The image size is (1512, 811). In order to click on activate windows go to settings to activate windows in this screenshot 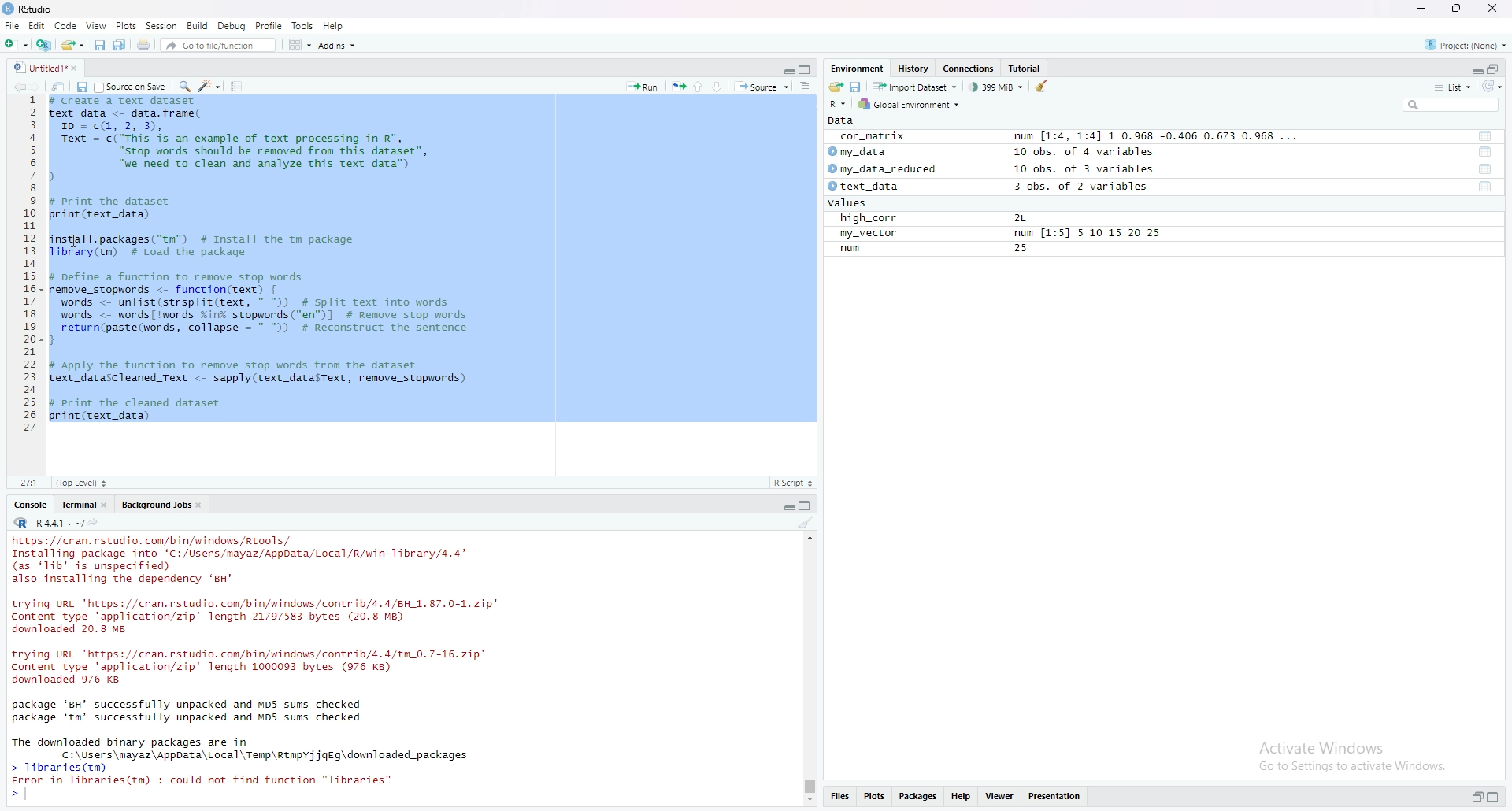, I will do `click(1345, 755)`.